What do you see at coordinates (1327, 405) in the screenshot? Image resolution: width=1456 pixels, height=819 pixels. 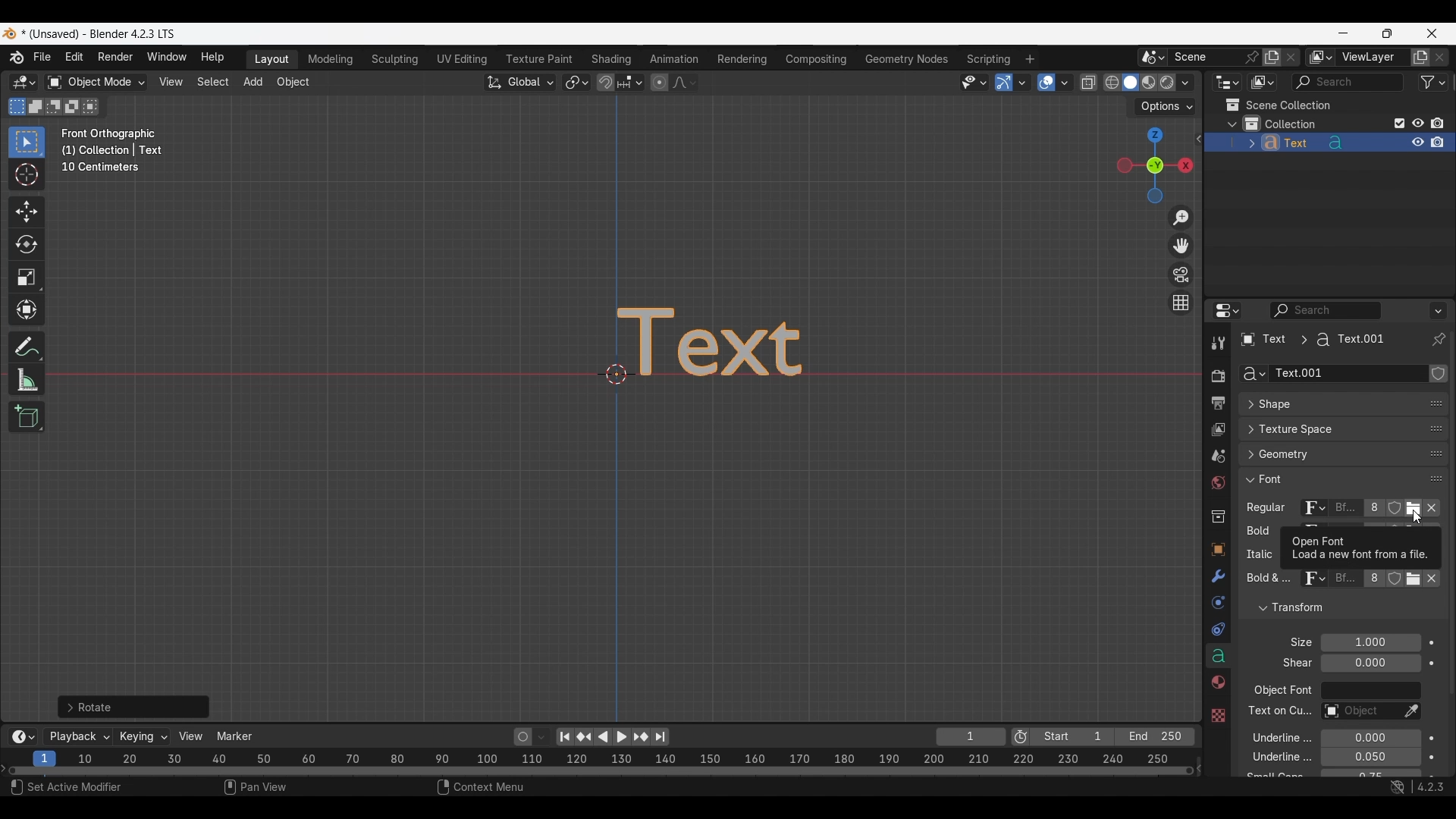 I see `Click to expand Shape` at bounding box center [1327, 405].